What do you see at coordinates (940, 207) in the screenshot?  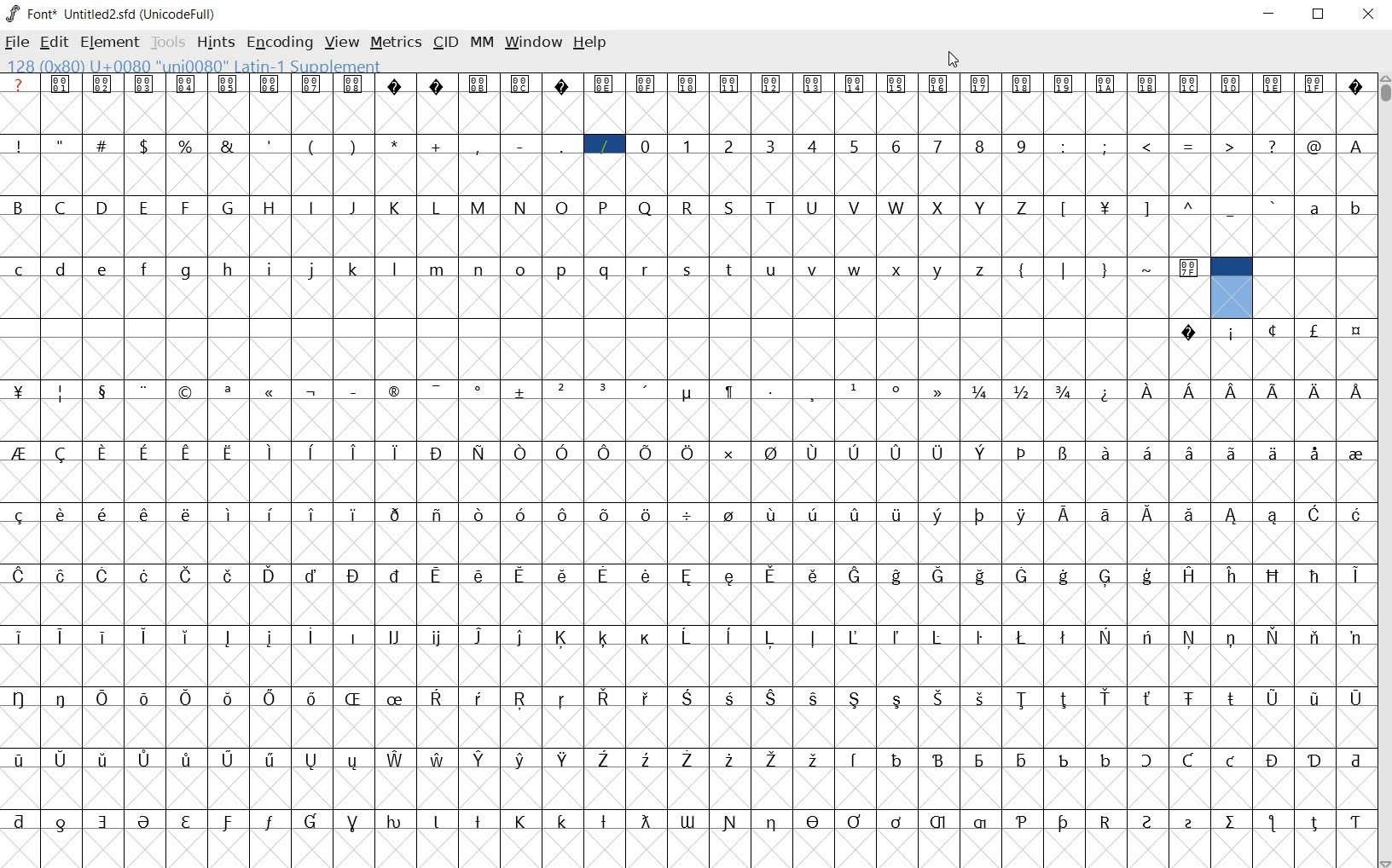 I see `X` at bounding box center [940, 207].